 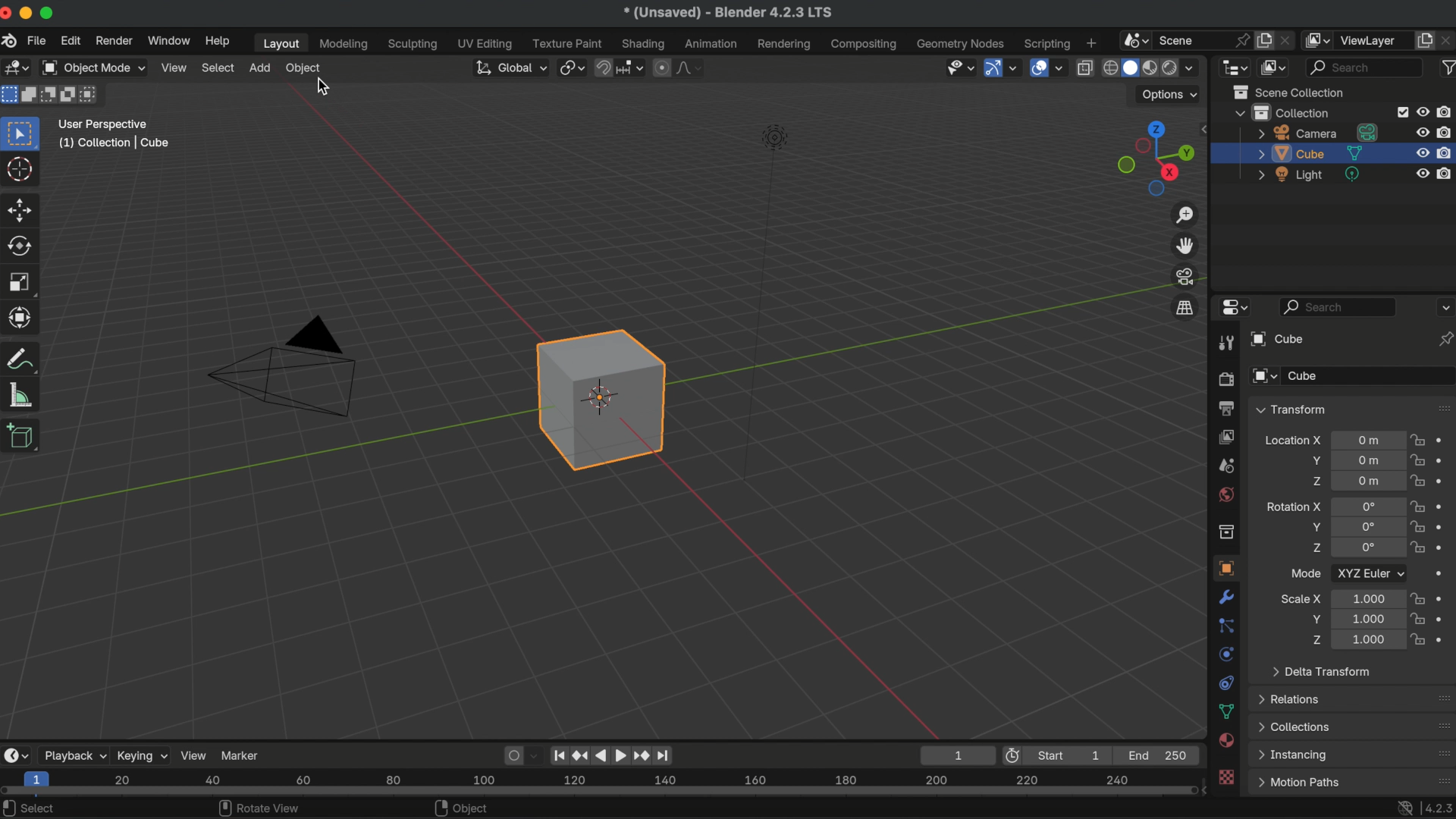 What do you see at coordinates (1159, 755) in the screenshot?
I see `End 250` at bounding box center [1159, 755].